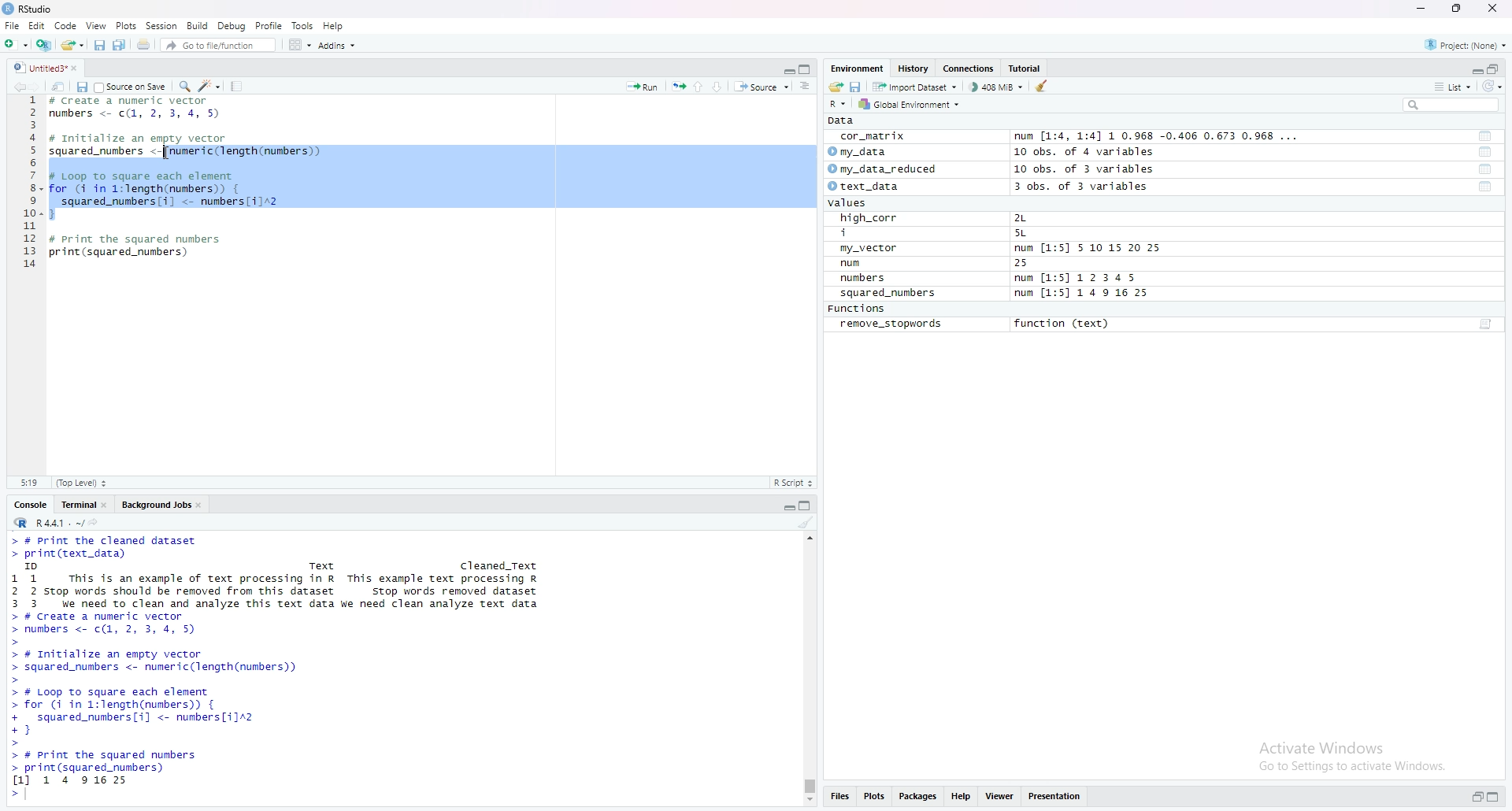 The width and height of the screenshot is (1512, 811). I want to click on minimize, so click(1475, 68).